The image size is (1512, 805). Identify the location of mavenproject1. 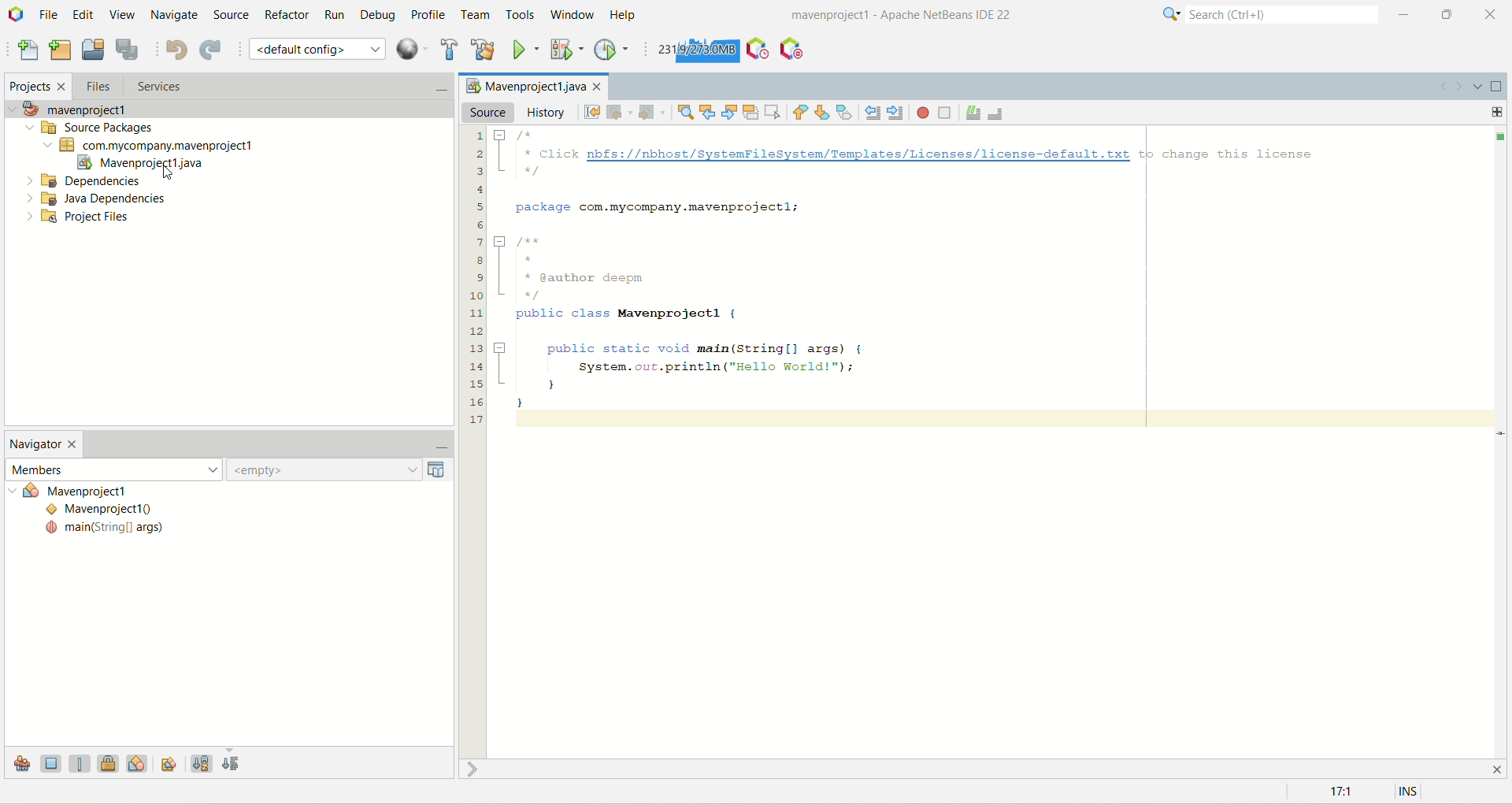
(97, 492).